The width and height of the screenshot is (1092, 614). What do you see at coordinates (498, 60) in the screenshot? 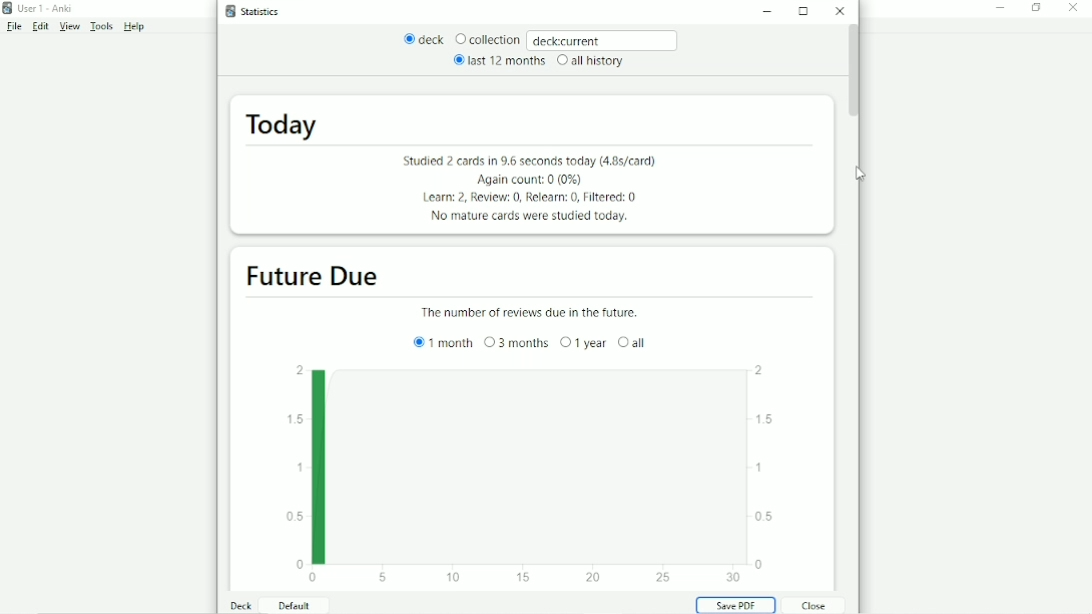
I see `last 12 months` at bounding box center [498, 60].